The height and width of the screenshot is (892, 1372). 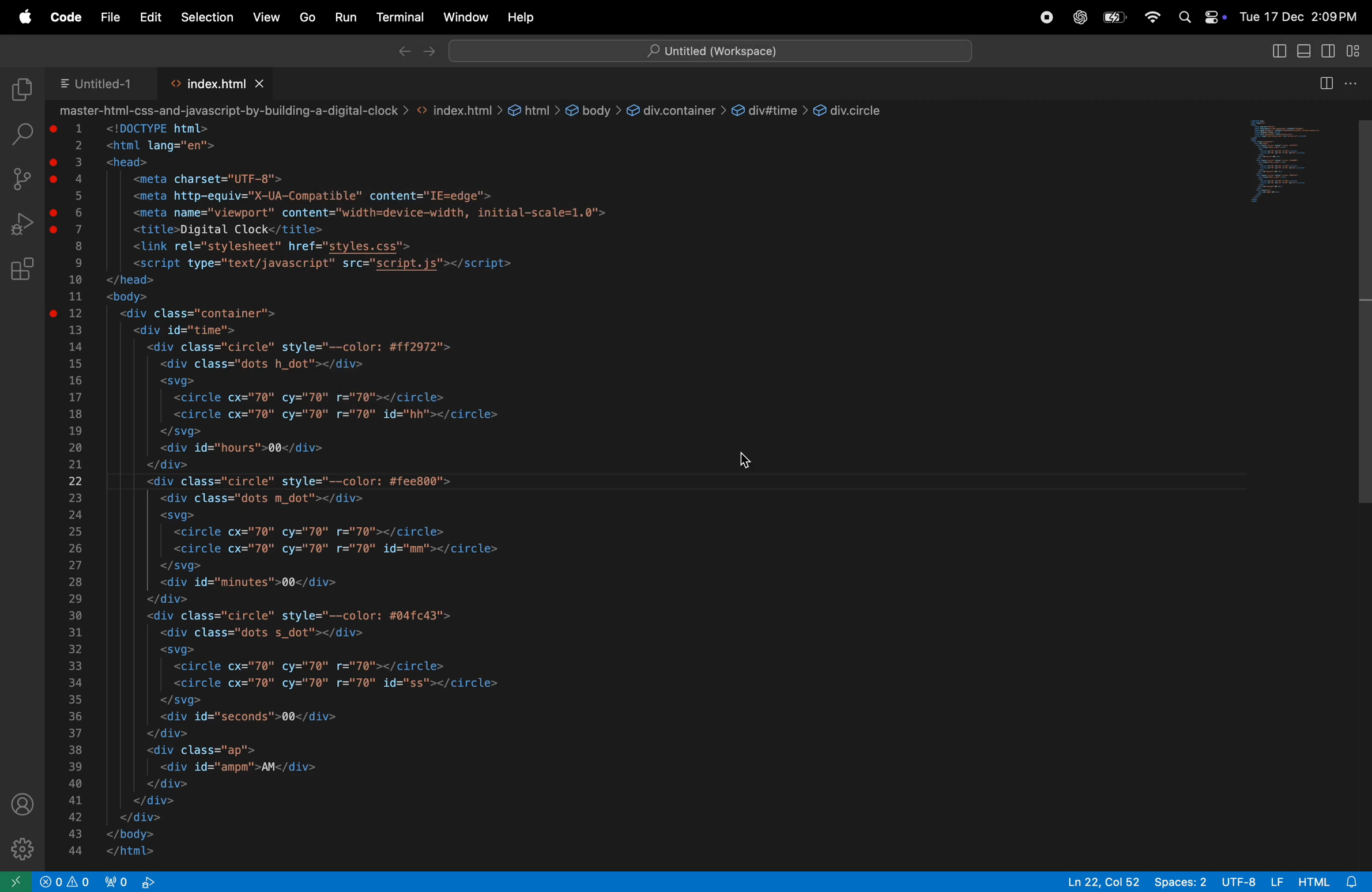 I want to click on toggle secondary view, so click(x=1330, y=51).